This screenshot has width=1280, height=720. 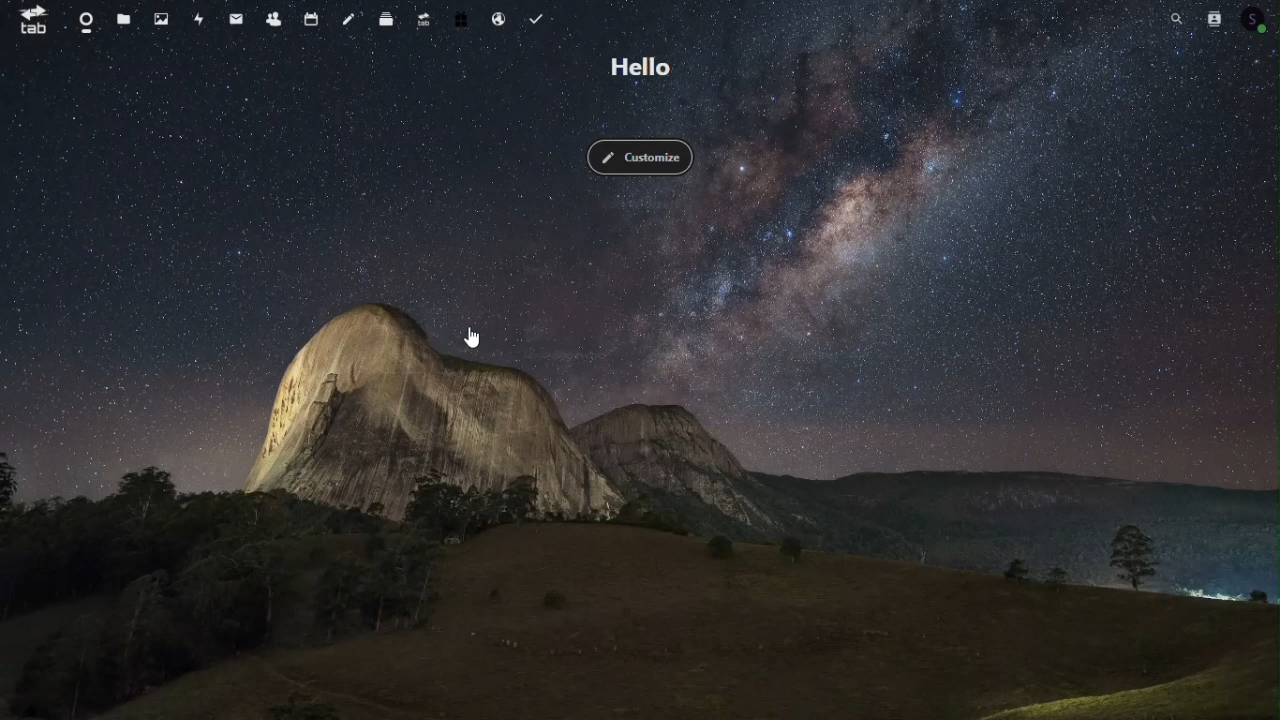 What do you see at coordinates (474, 339) in the screenshot?
I see `Mouse pointer` at bounding box center [474, 339].